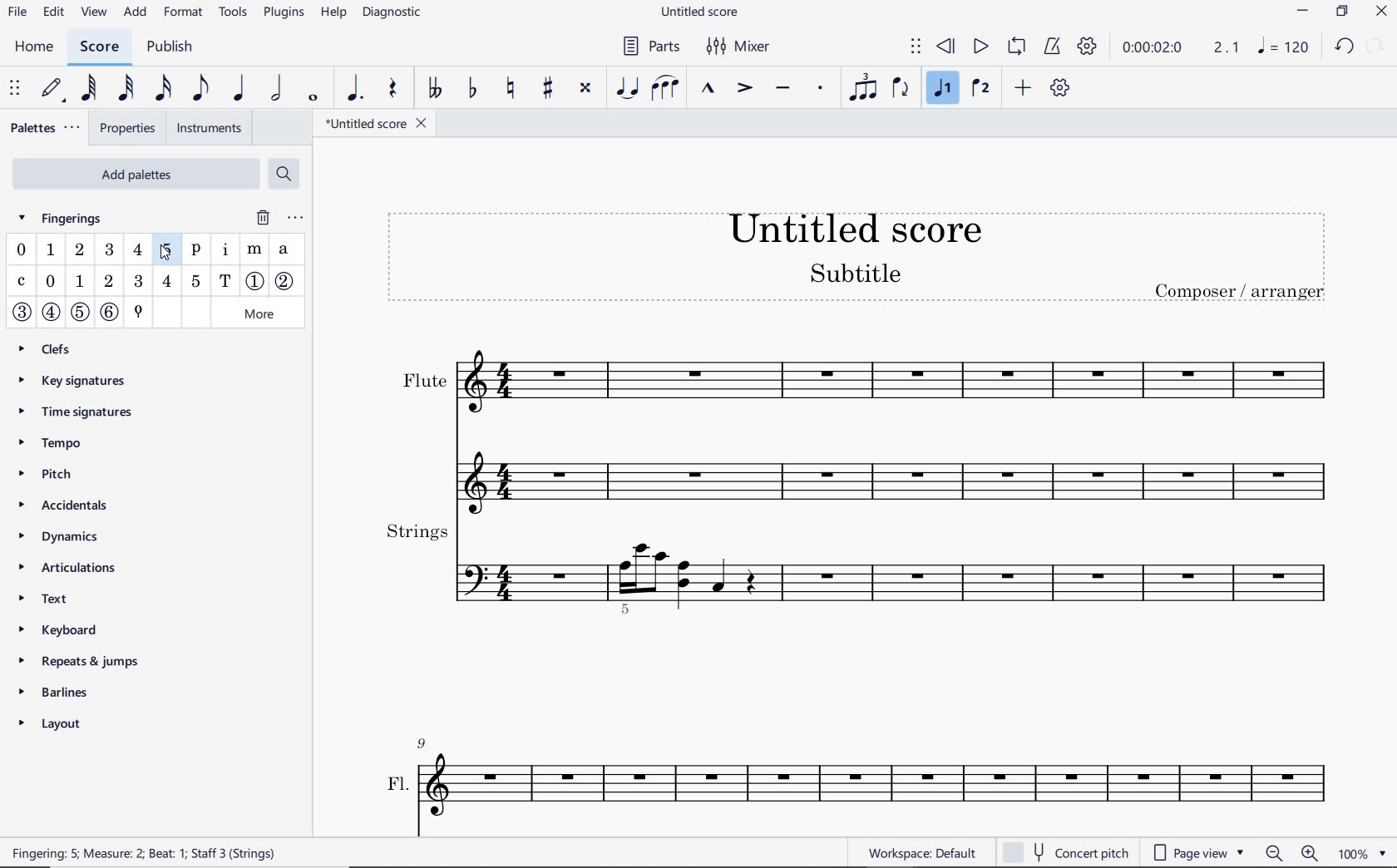 The height and width of the screenshot is (868, 1397). Describe the element at coordinates (922, 853) in the screenshot. I see `workspace default` at that location.